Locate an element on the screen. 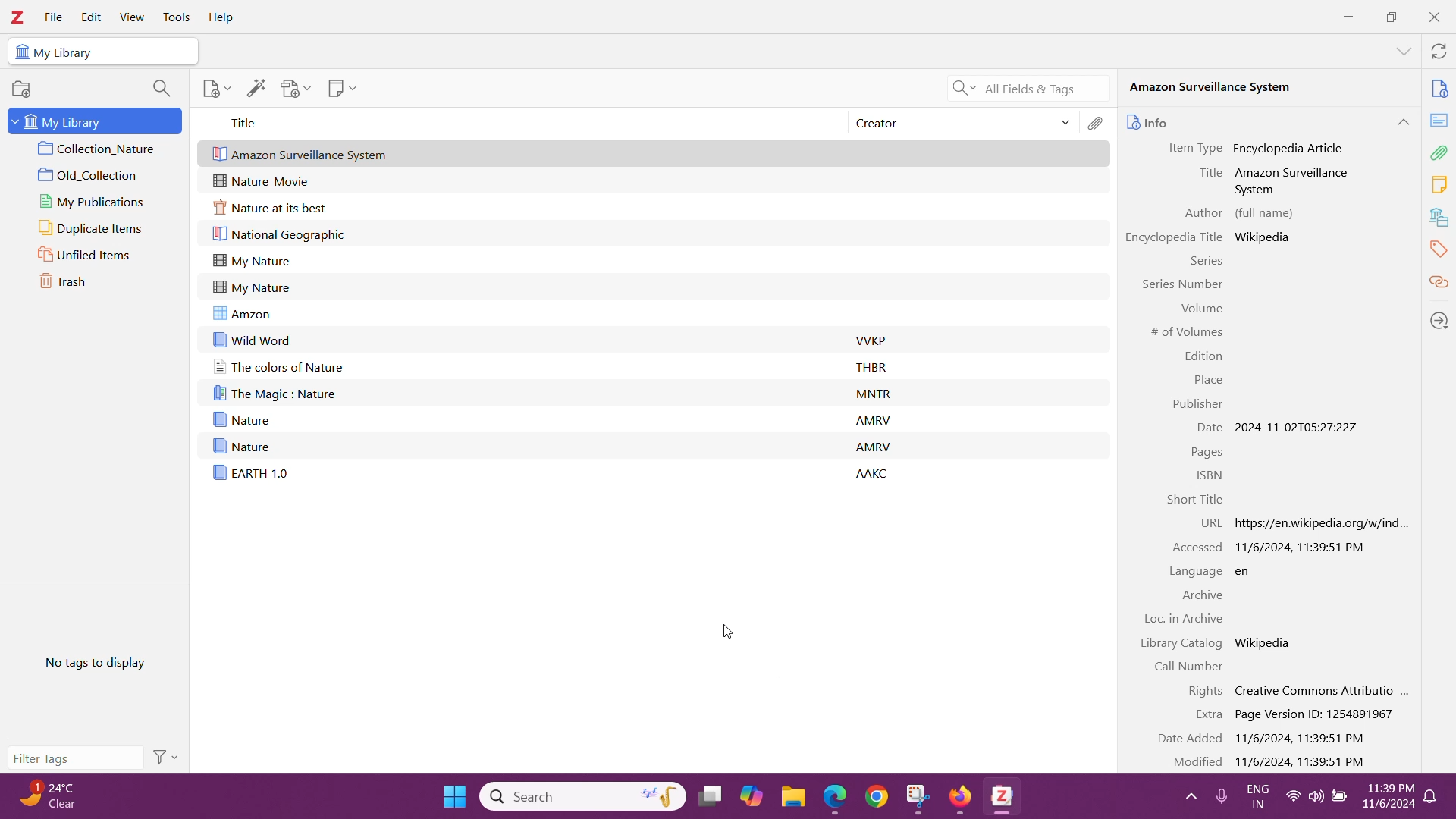 This screenshot has height=819, width=1456. New Webpage added to the items in the Zotero Library is located at coordinates (652, 153).